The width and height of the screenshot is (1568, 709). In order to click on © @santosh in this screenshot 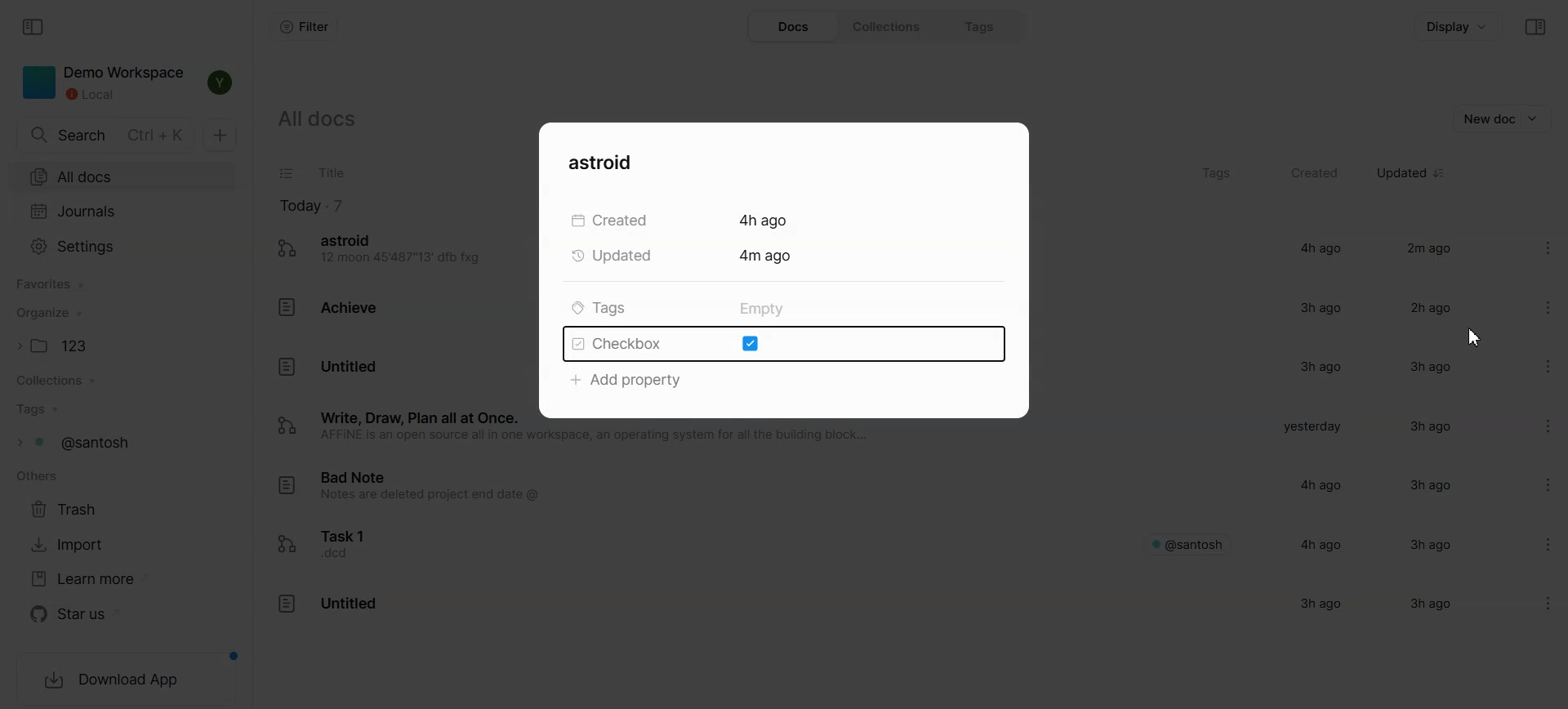, I will do `click(1188, 543)`.